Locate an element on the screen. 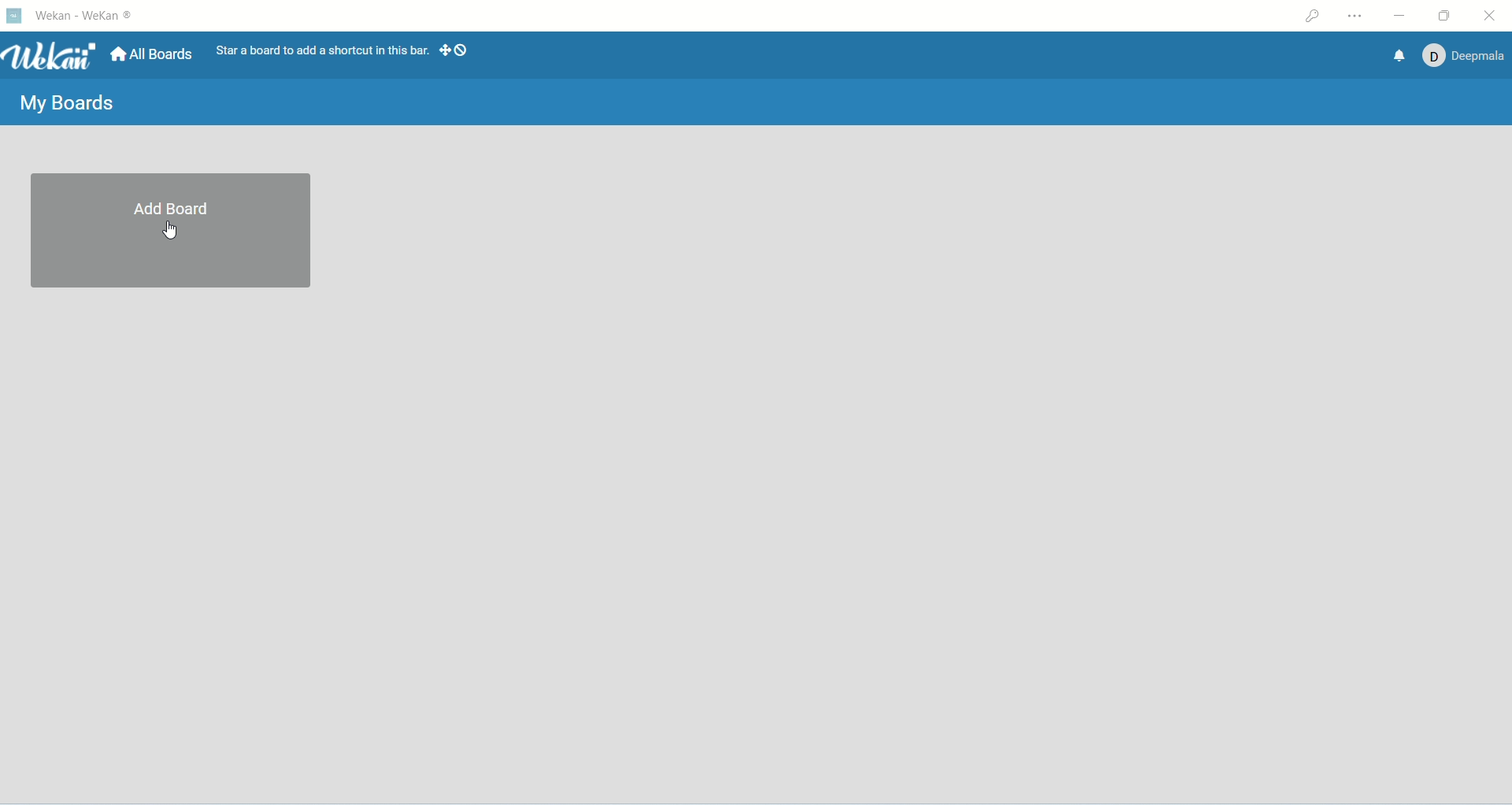  star a board to add a shortcut in this bar is located at coordinates (320, 50).